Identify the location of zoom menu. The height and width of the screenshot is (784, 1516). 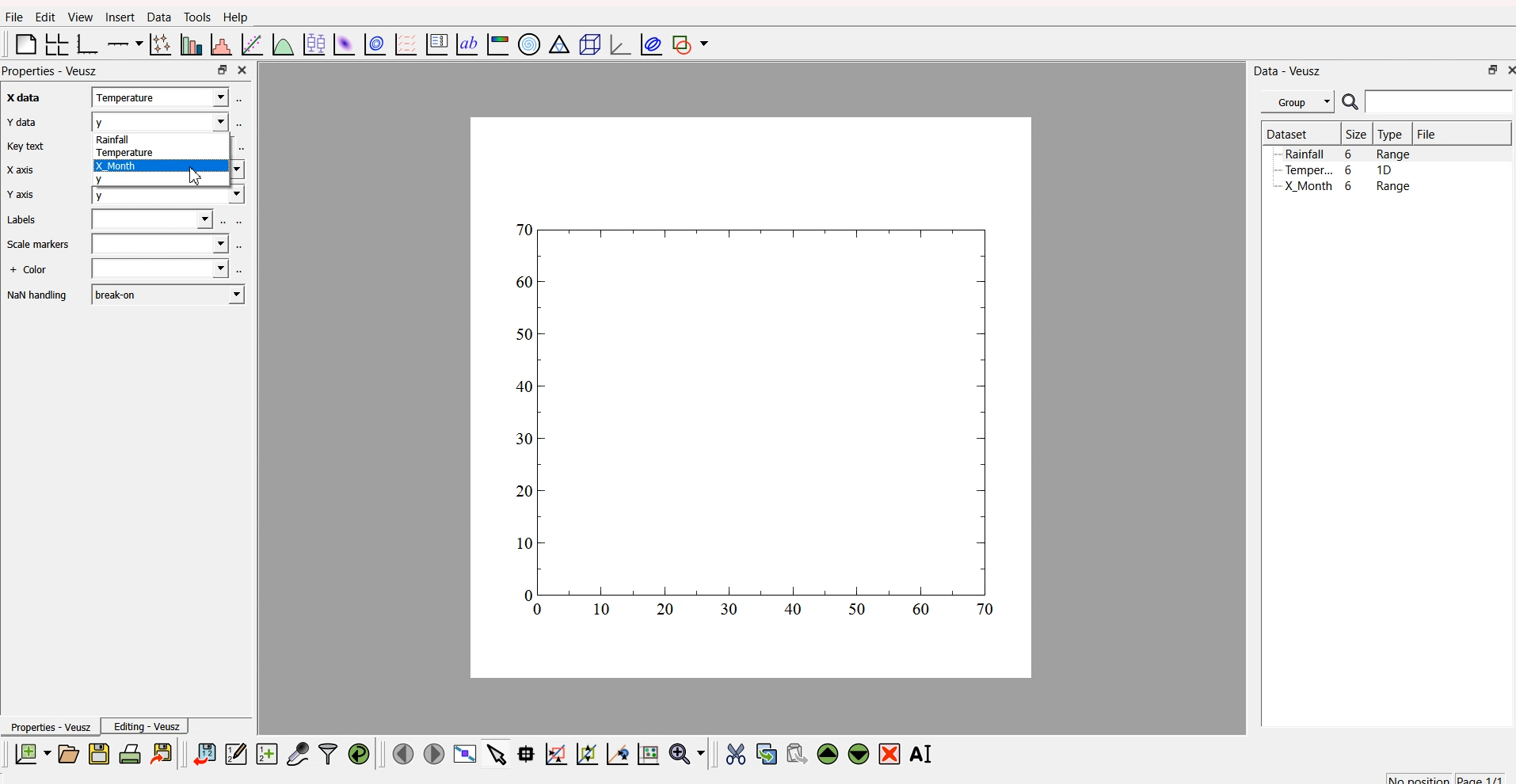
(688, 752).